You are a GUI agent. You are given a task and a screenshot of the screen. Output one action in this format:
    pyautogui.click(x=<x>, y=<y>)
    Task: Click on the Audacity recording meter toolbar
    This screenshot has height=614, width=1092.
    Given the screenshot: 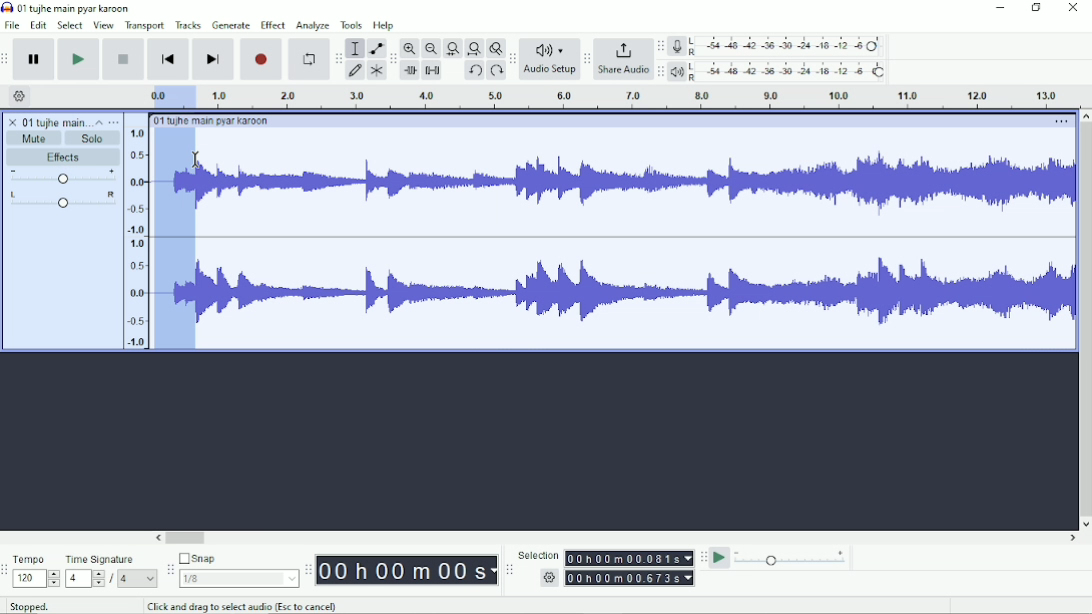 What is the action you would take?
    pyautogui.click(x=660, y=47)
    